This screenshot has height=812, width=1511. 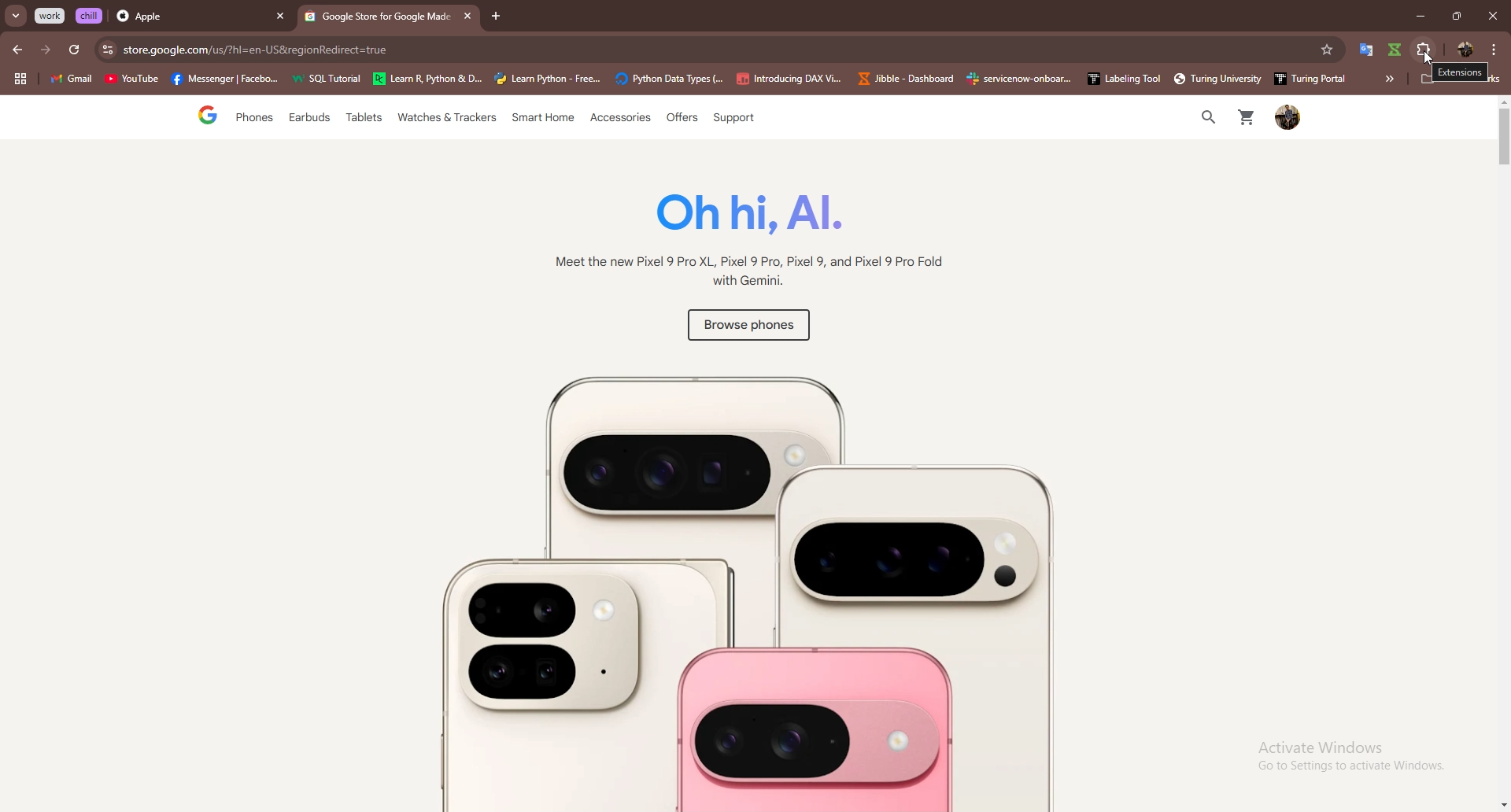 What do you see at coordinates (1464, 50) in the screenshot?
I see `profile` at bounding box center [1464, 50].